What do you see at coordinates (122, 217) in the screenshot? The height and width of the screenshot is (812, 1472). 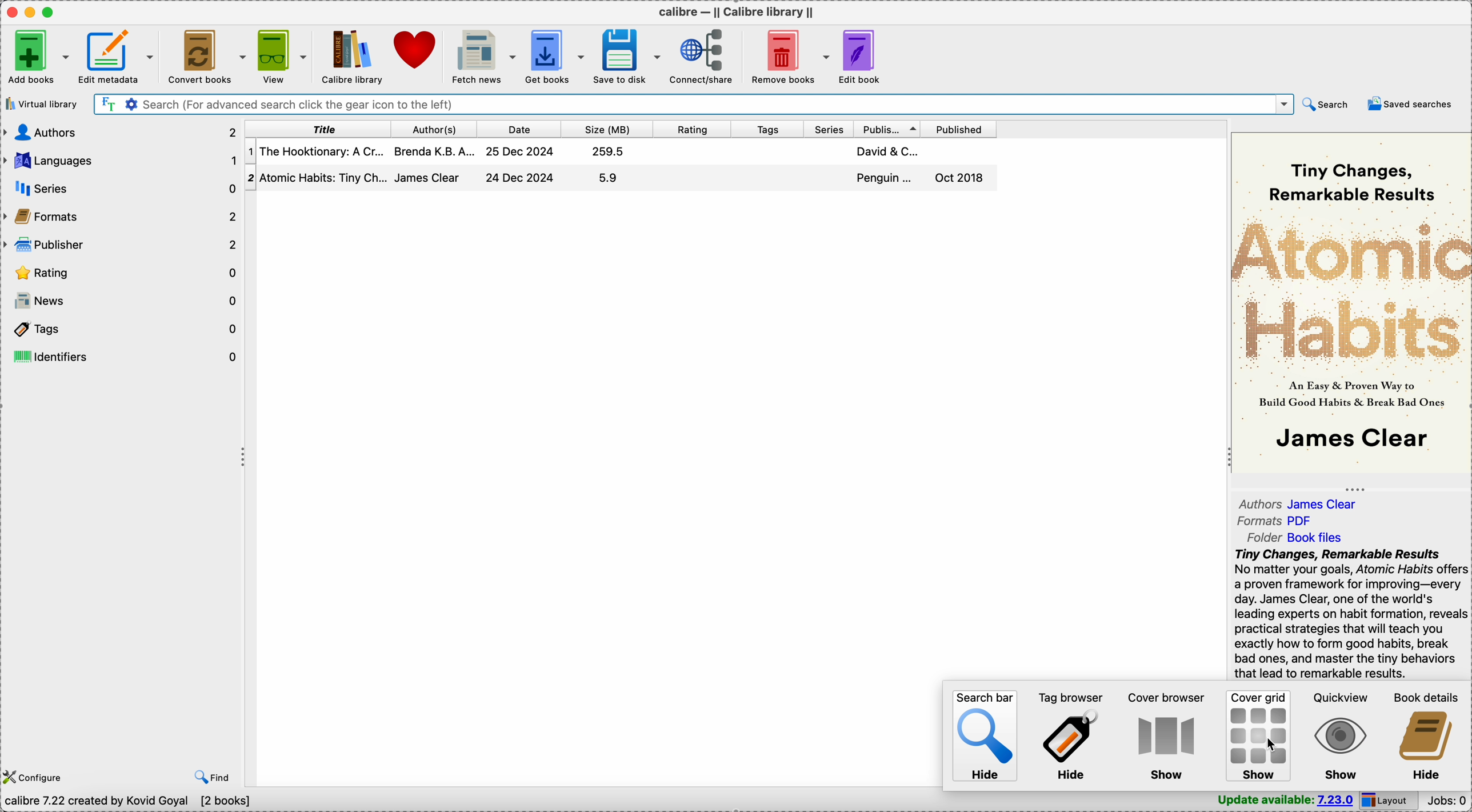 I see `formats` at bounding box center [122, 217].